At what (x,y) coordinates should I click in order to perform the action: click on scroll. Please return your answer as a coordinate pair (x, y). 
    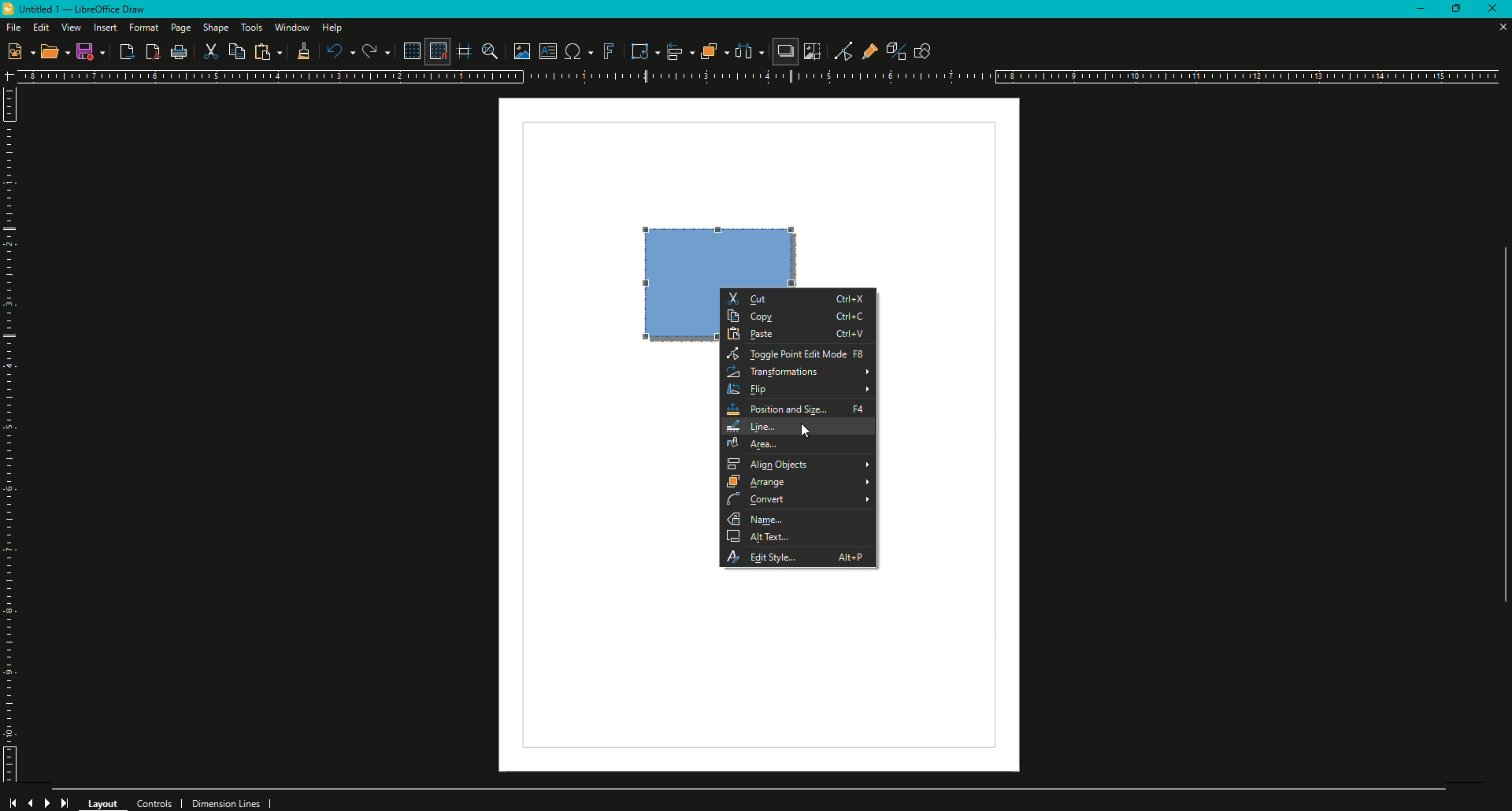
    Looking at the image, I should click on (1497, 437).